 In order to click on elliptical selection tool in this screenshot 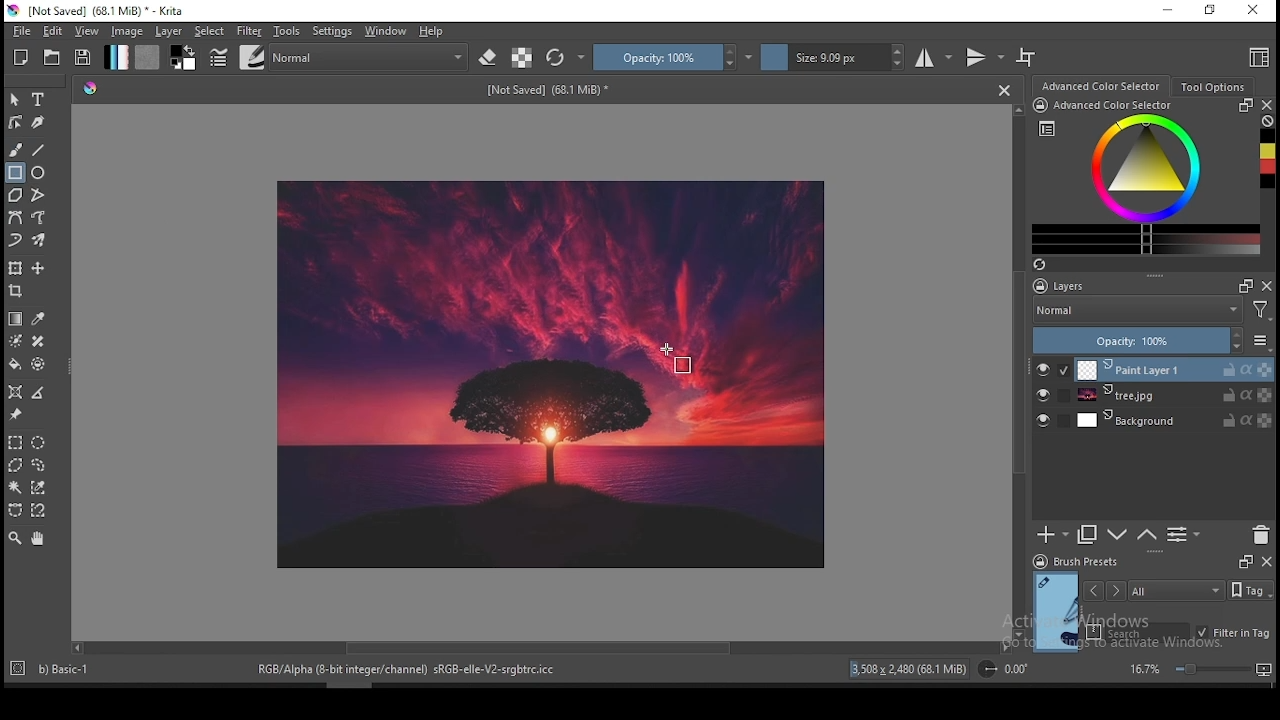, I will do `click(39, 440)`.